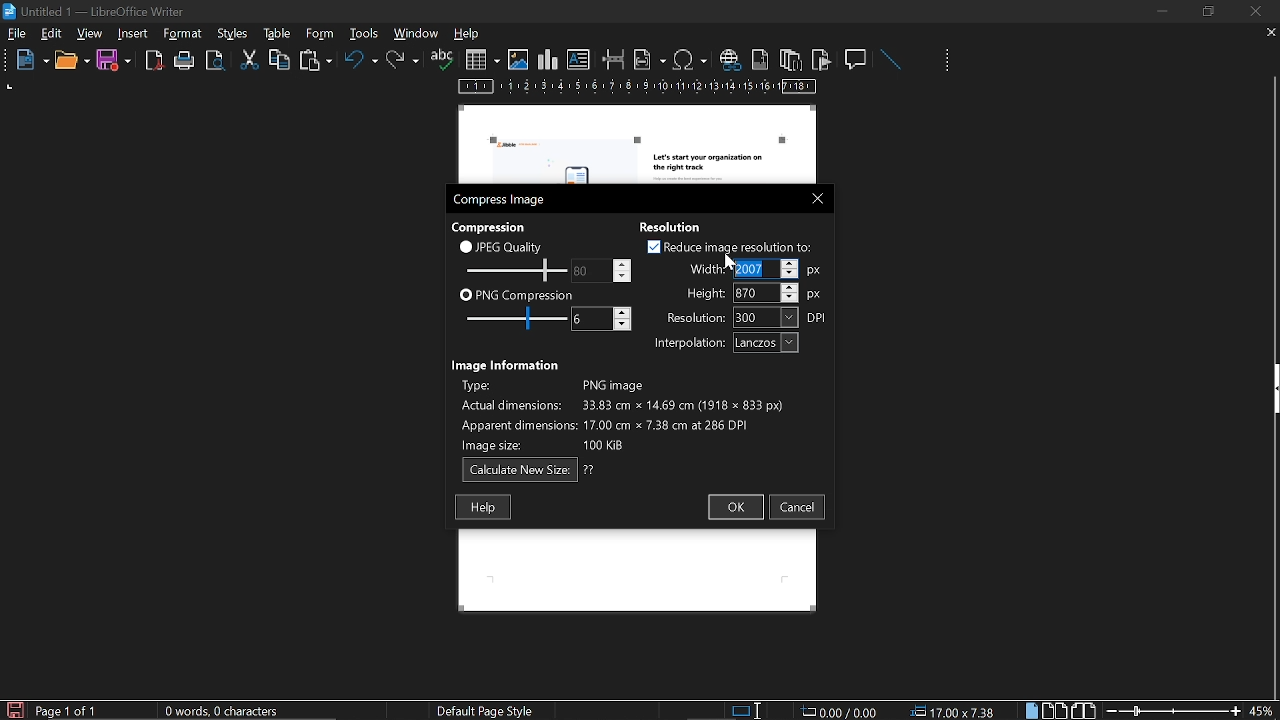  Describe the element at coordinates (726, 262) in the screenshot. I see `Cursor` at that location.